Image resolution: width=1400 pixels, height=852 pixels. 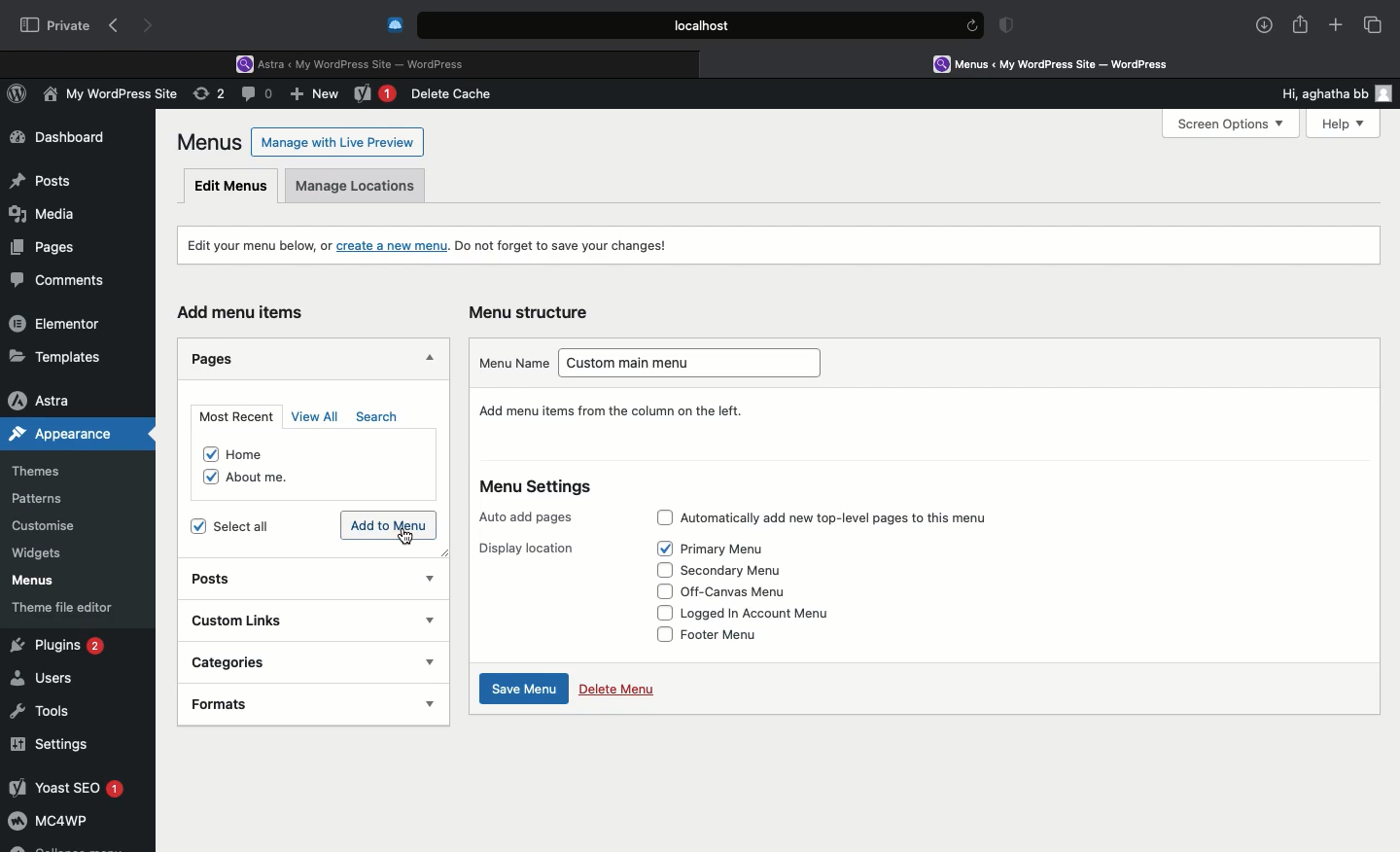 What do you see at coordinates (1229, 124) in the screenshot?
I see `Screen Options` at bounding box center [1229, 124].